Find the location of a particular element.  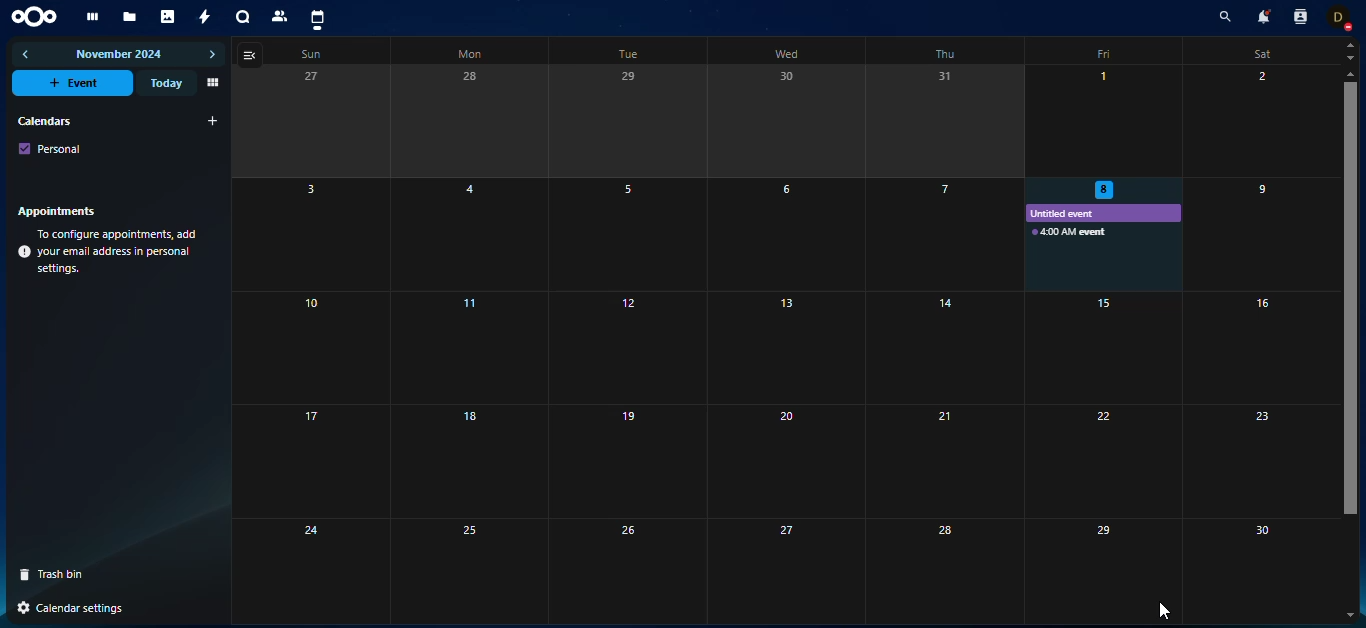

 is located at coordinates (1104, 462).